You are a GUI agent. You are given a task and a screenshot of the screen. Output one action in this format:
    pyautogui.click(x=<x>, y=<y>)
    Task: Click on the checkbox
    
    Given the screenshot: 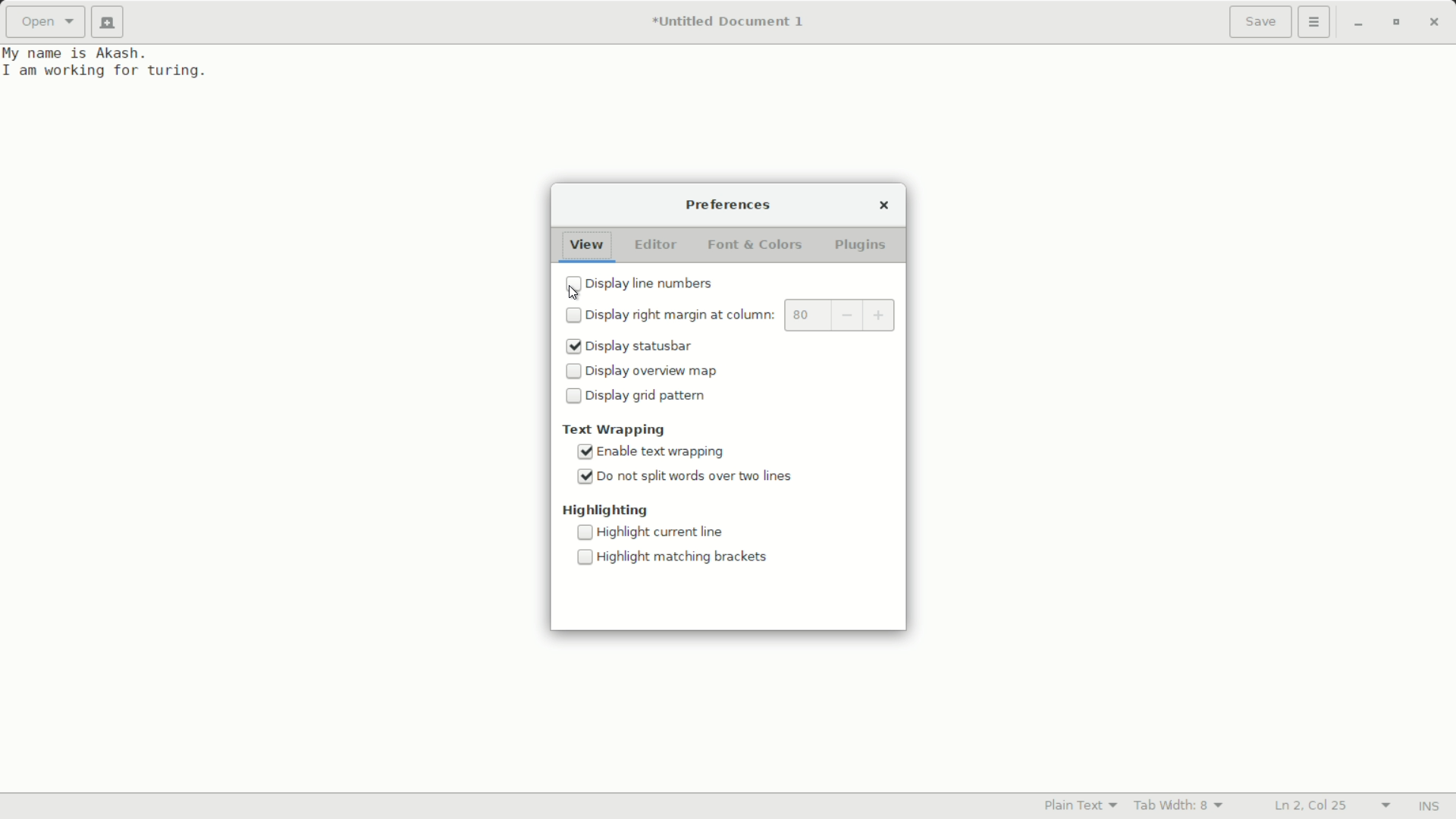 What is the action you would take?
    pyautogui.click(x=585, y=557)
    